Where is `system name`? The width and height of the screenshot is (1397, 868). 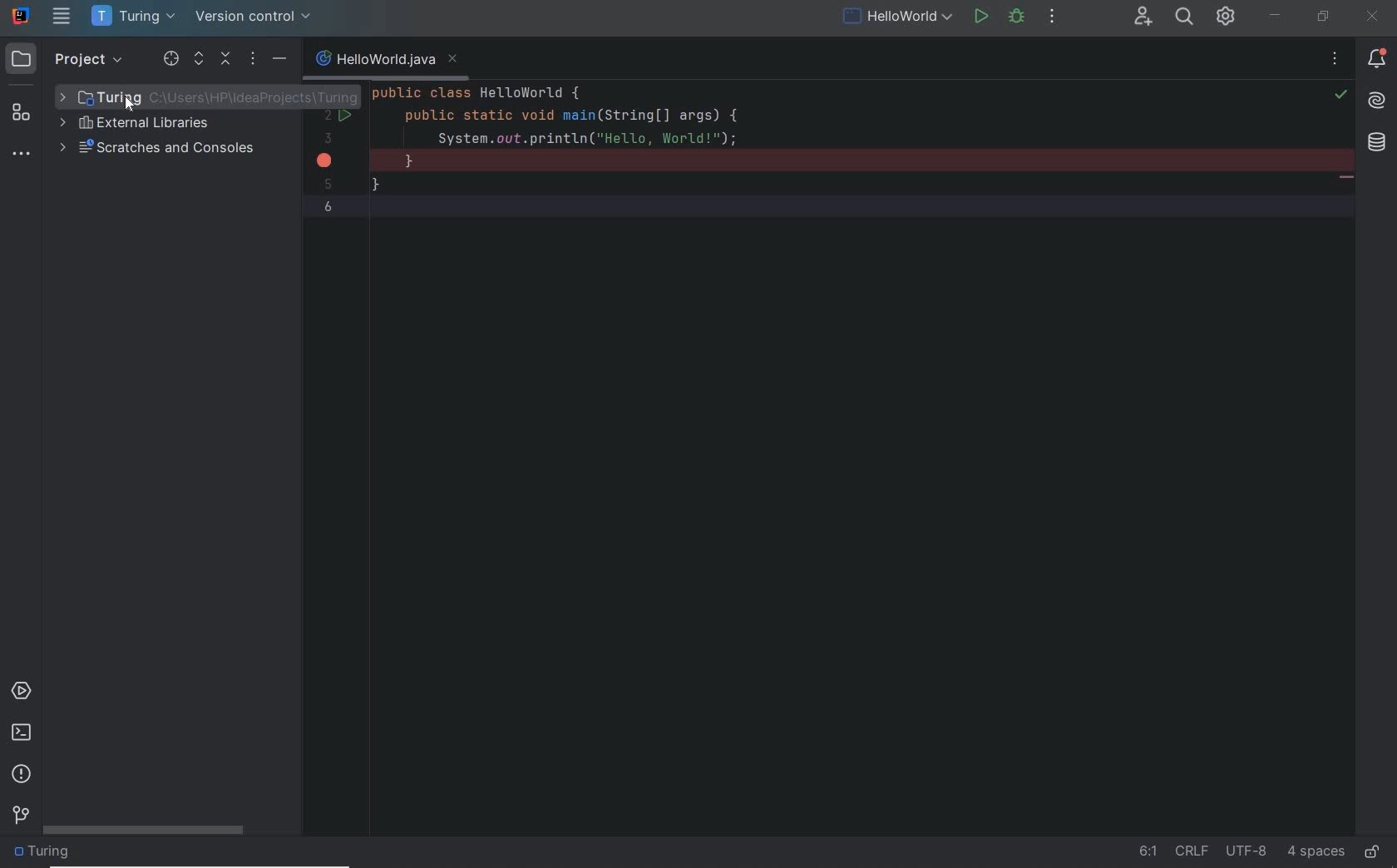
system name is located at coordinates (21, 16).